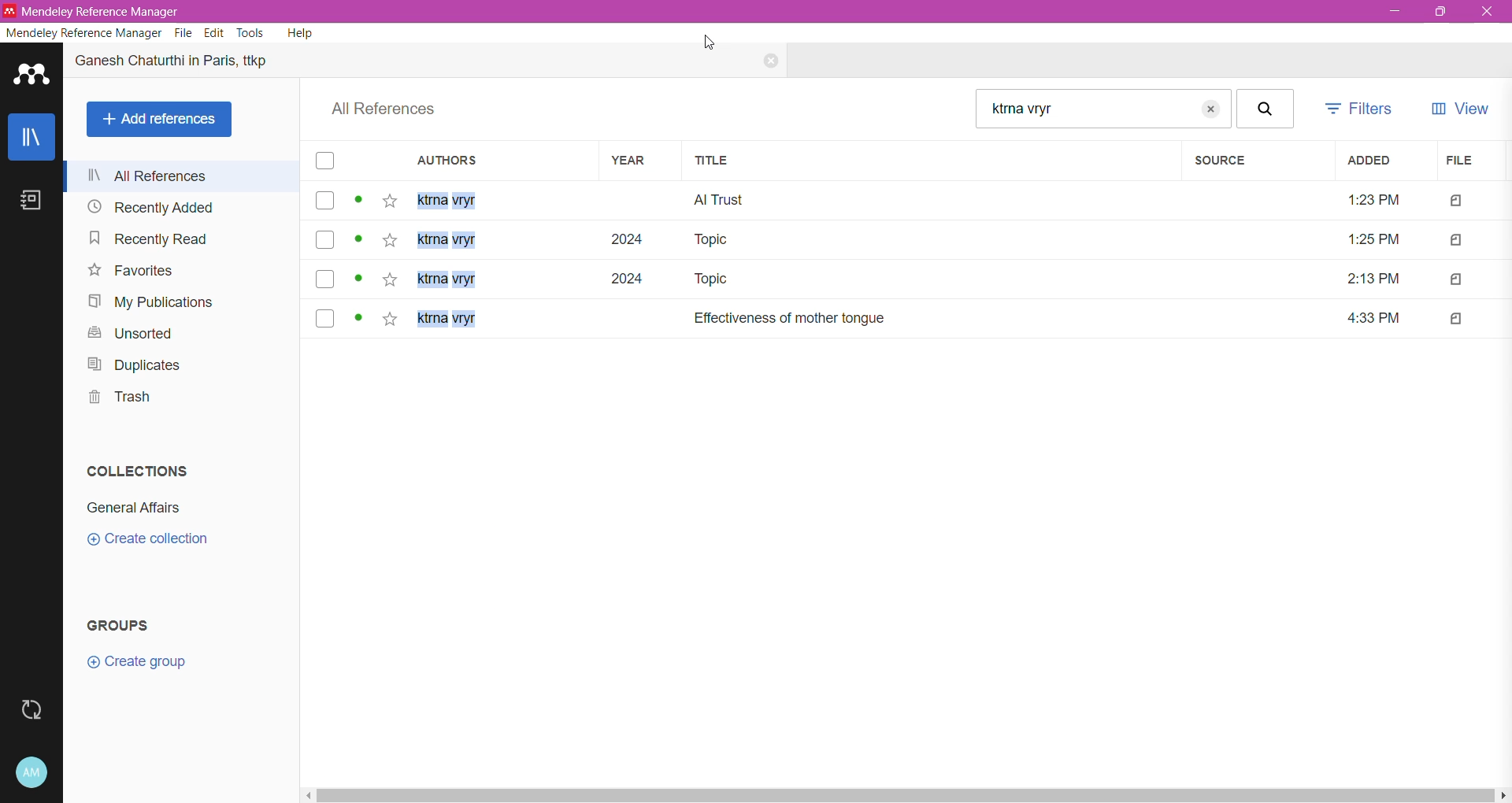 This screenshot has width=1512, height=803. What do you see at coordinates (324, 200) in the screenshot?
I see `select reference ` at bounding box center [324, 200].